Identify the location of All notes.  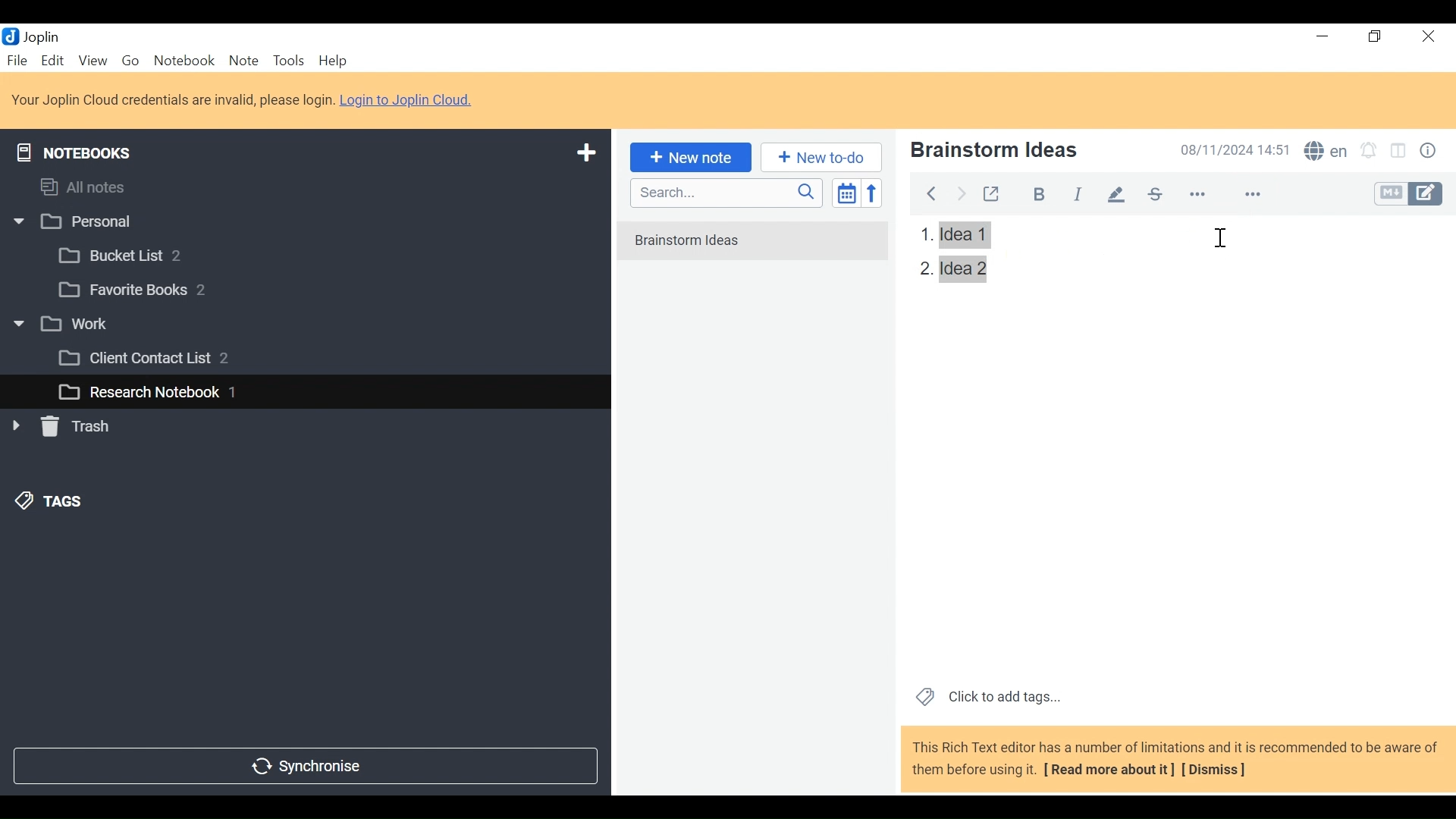
(97, 184).